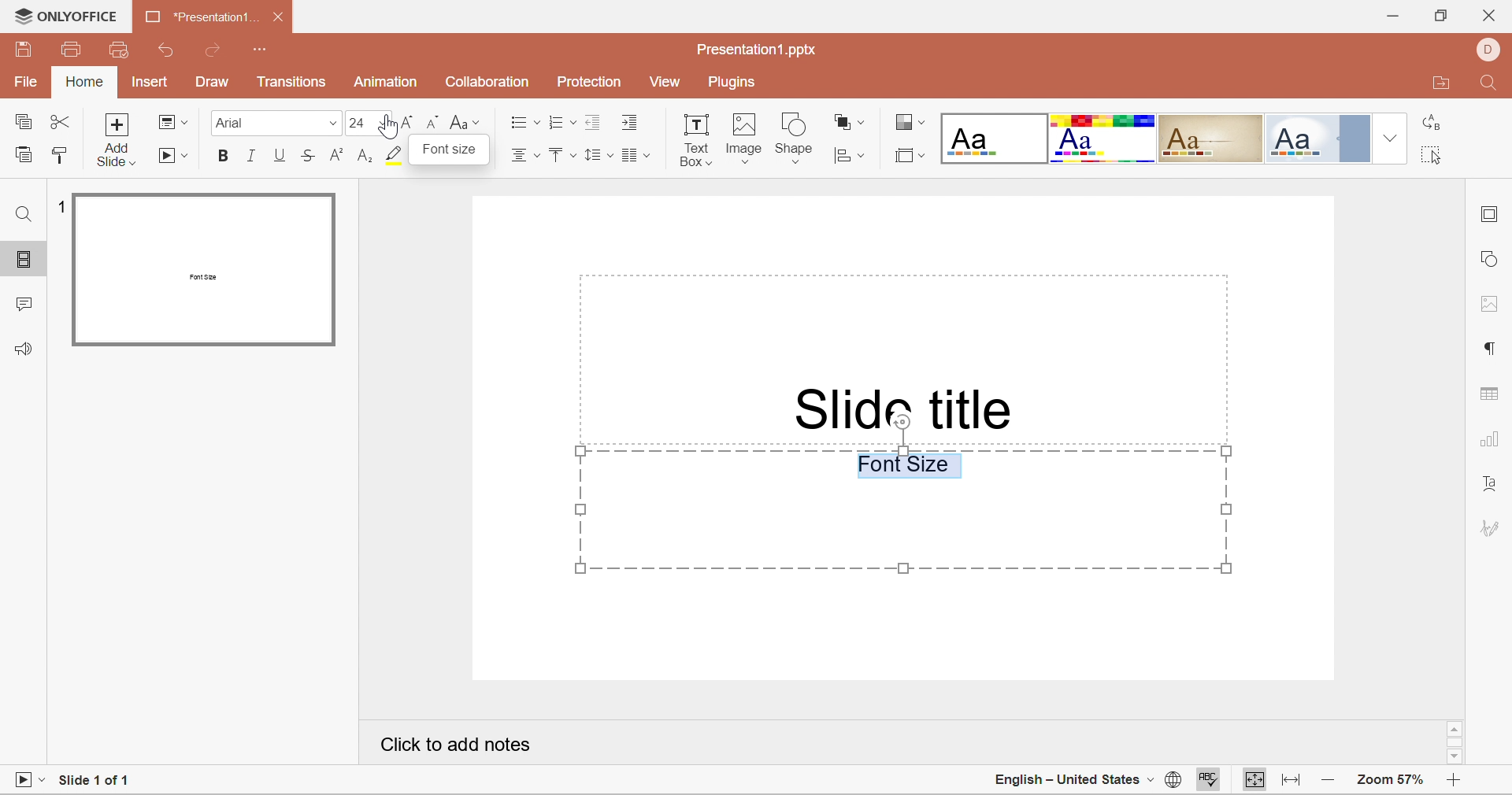  Describe the element at coordinates (280, 155) in the screenshot. I see `Underline` at that location.